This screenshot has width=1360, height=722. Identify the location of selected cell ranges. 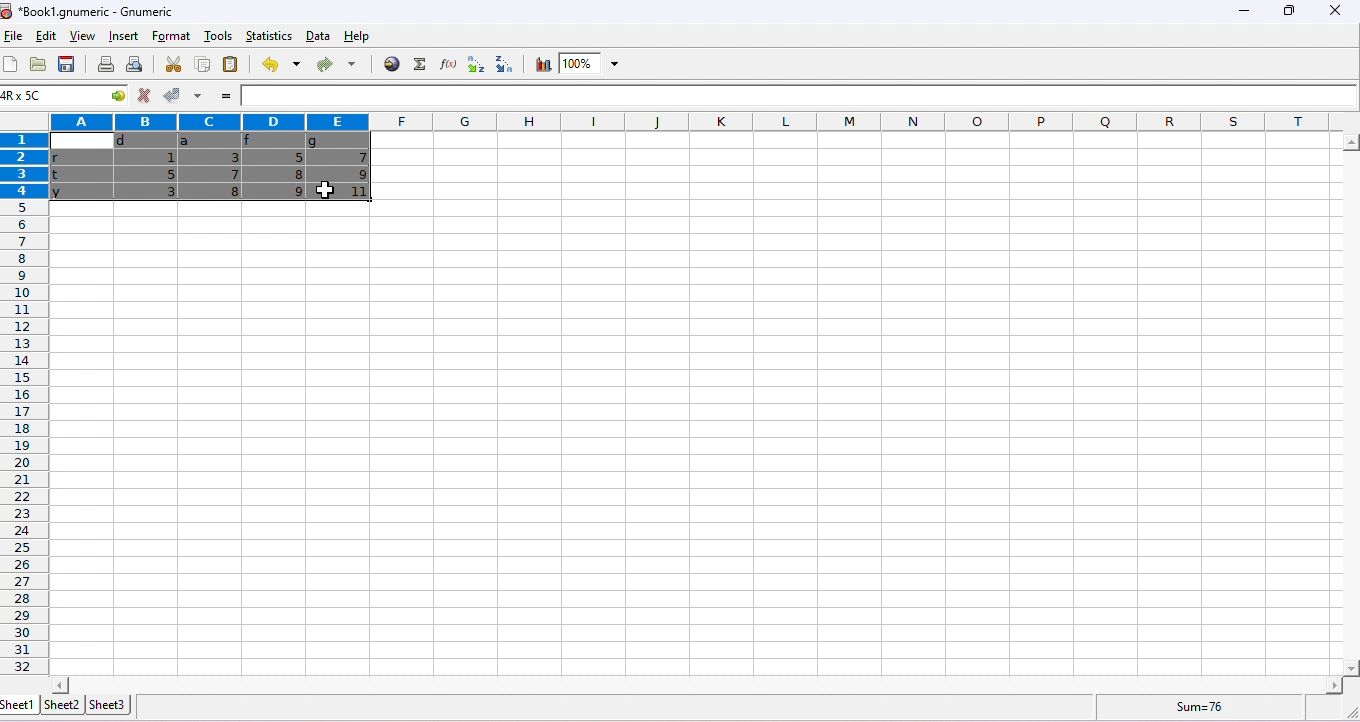
(28, 97).